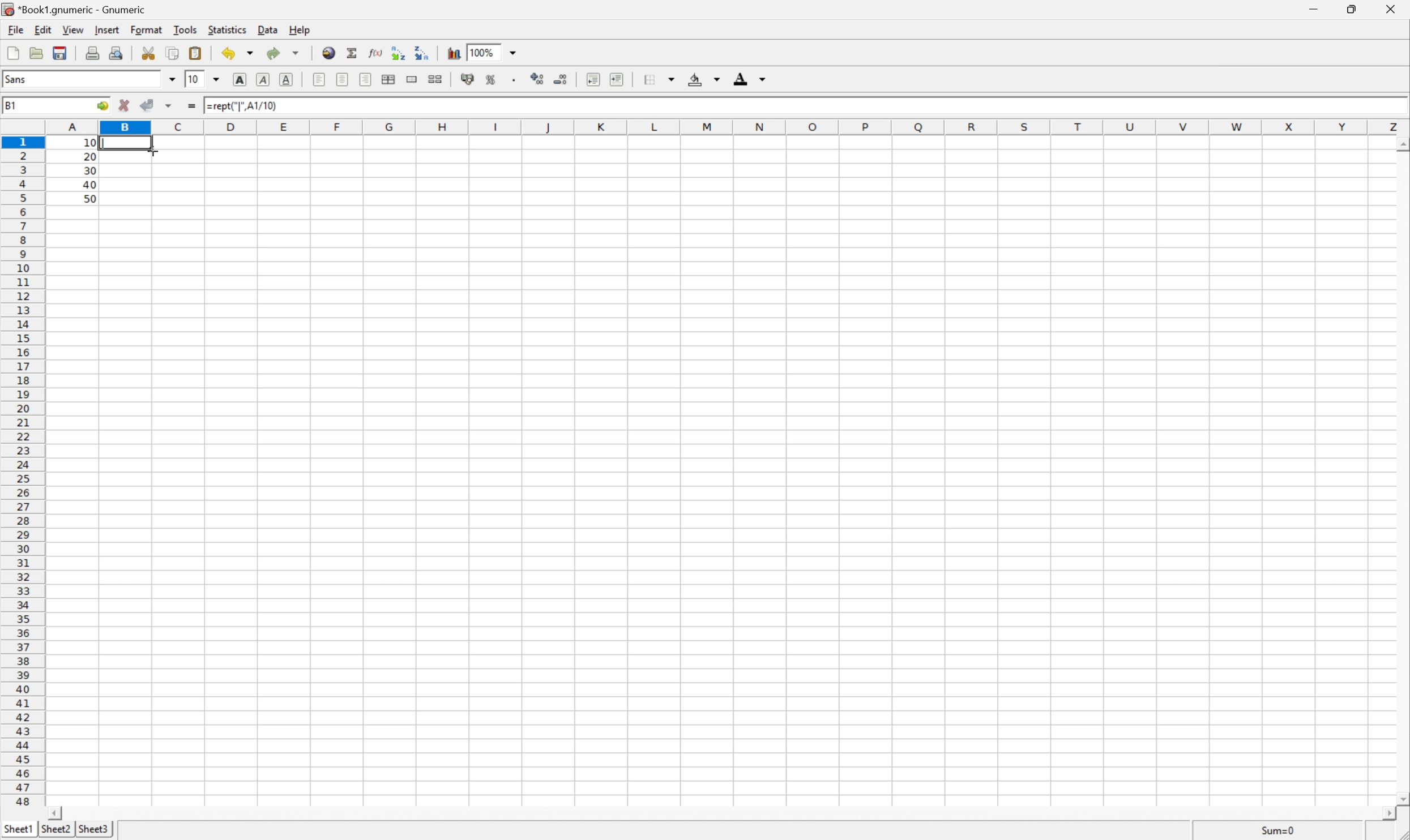 This screenshot has width=1410, height=840. I want to click on Column names, so click(729, 127).